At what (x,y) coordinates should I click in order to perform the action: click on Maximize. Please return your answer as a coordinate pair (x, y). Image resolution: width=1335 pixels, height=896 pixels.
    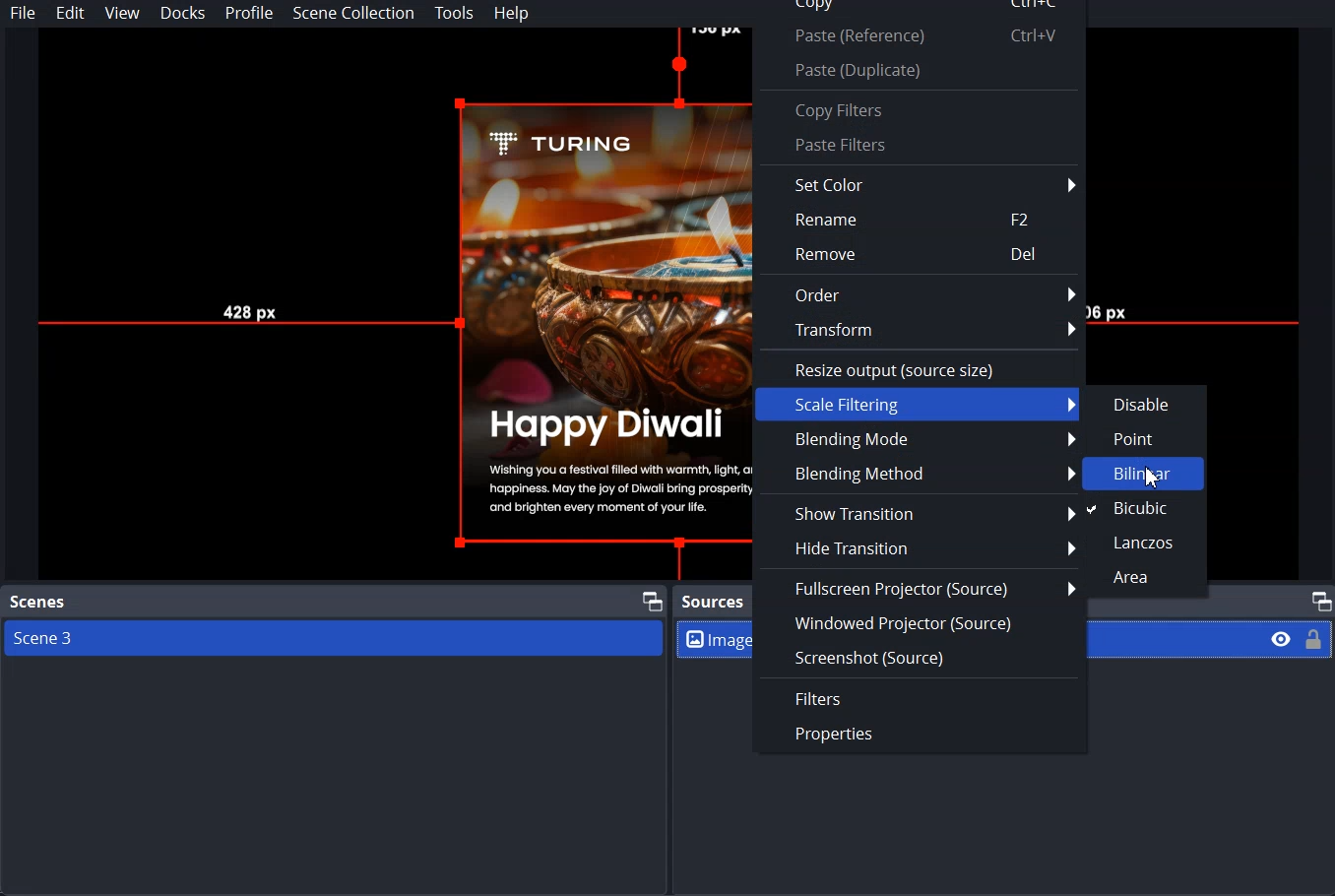
    Looking at the image, I should click on (1320, 600).